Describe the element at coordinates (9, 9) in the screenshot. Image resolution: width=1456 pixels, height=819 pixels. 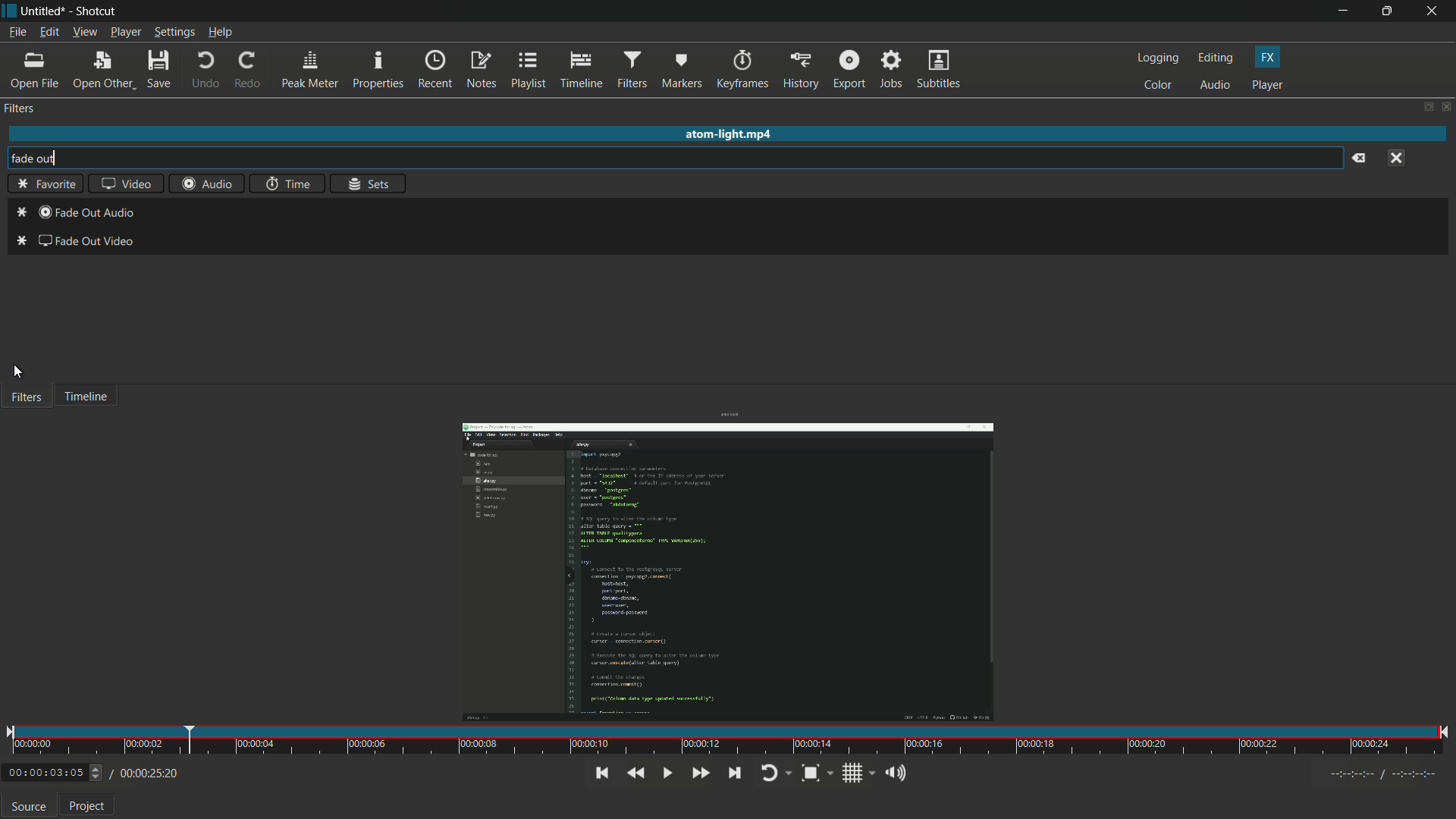
I see `app icon` at that location.